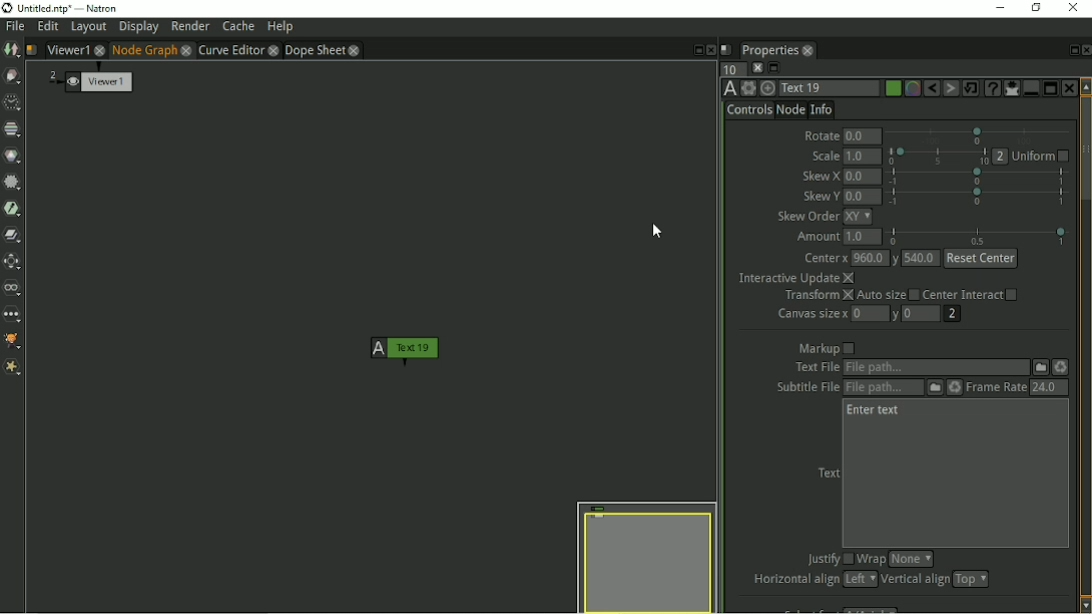 Image resolution: width=1092 pixels, height=614 pixels. I want to click on Justify, so click(828, 559).